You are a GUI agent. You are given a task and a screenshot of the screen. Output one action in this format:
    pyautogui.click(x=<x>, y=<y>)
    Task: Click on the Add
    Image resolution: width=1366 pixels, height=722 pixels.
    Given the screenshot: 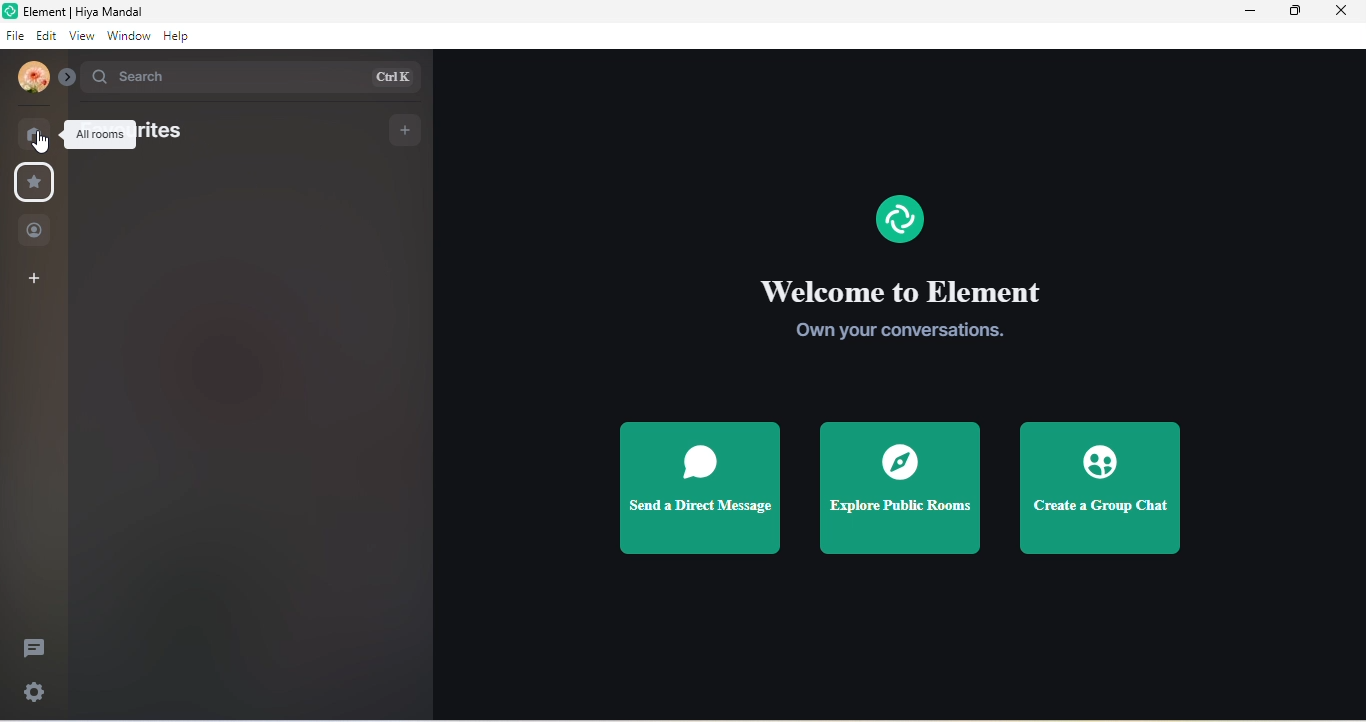 What is the action you would take?
    pyautogui.click(x=33, y=278)
    